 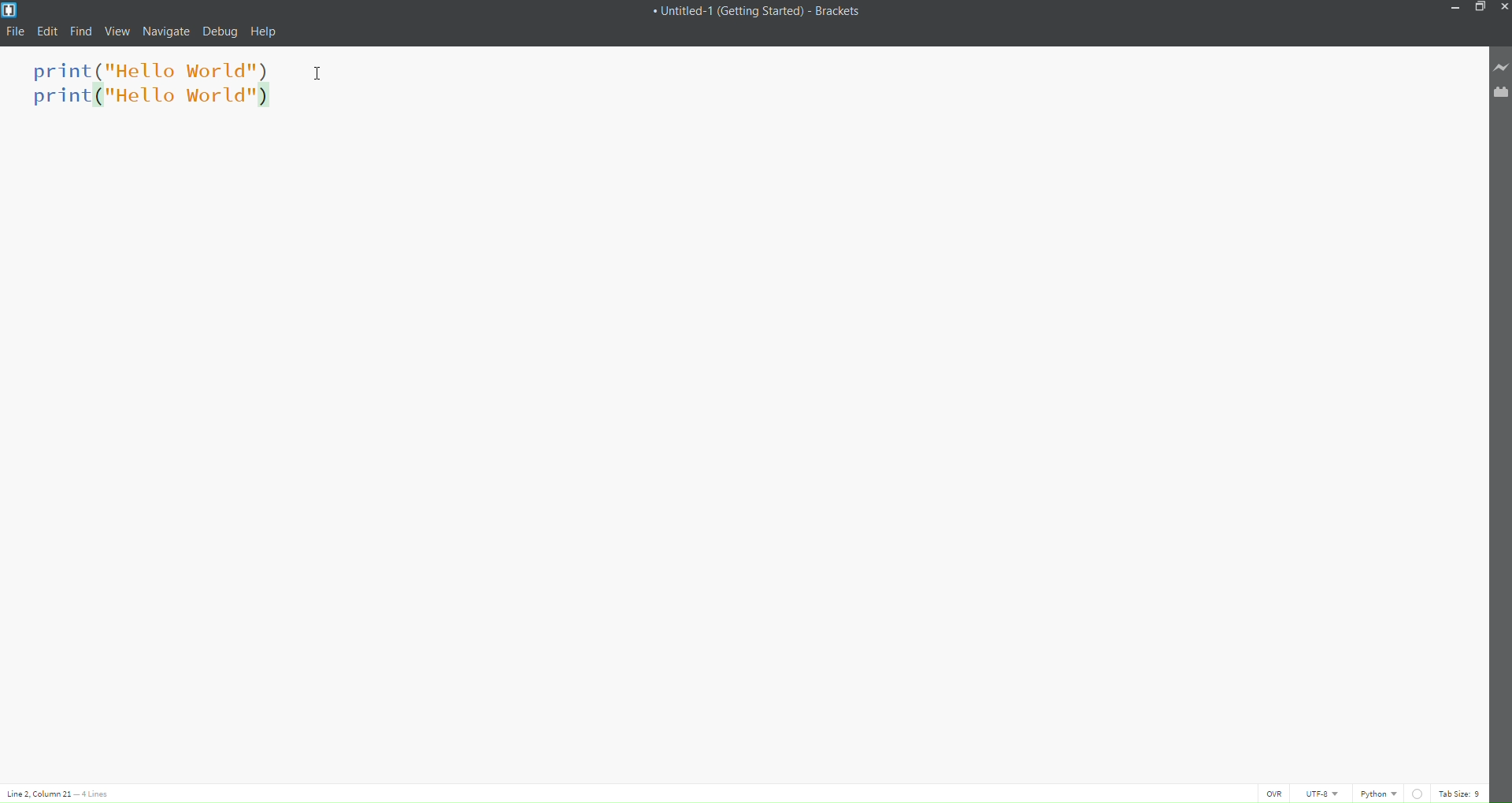 I want to click on utf-8, so click(x=1320, y=793).